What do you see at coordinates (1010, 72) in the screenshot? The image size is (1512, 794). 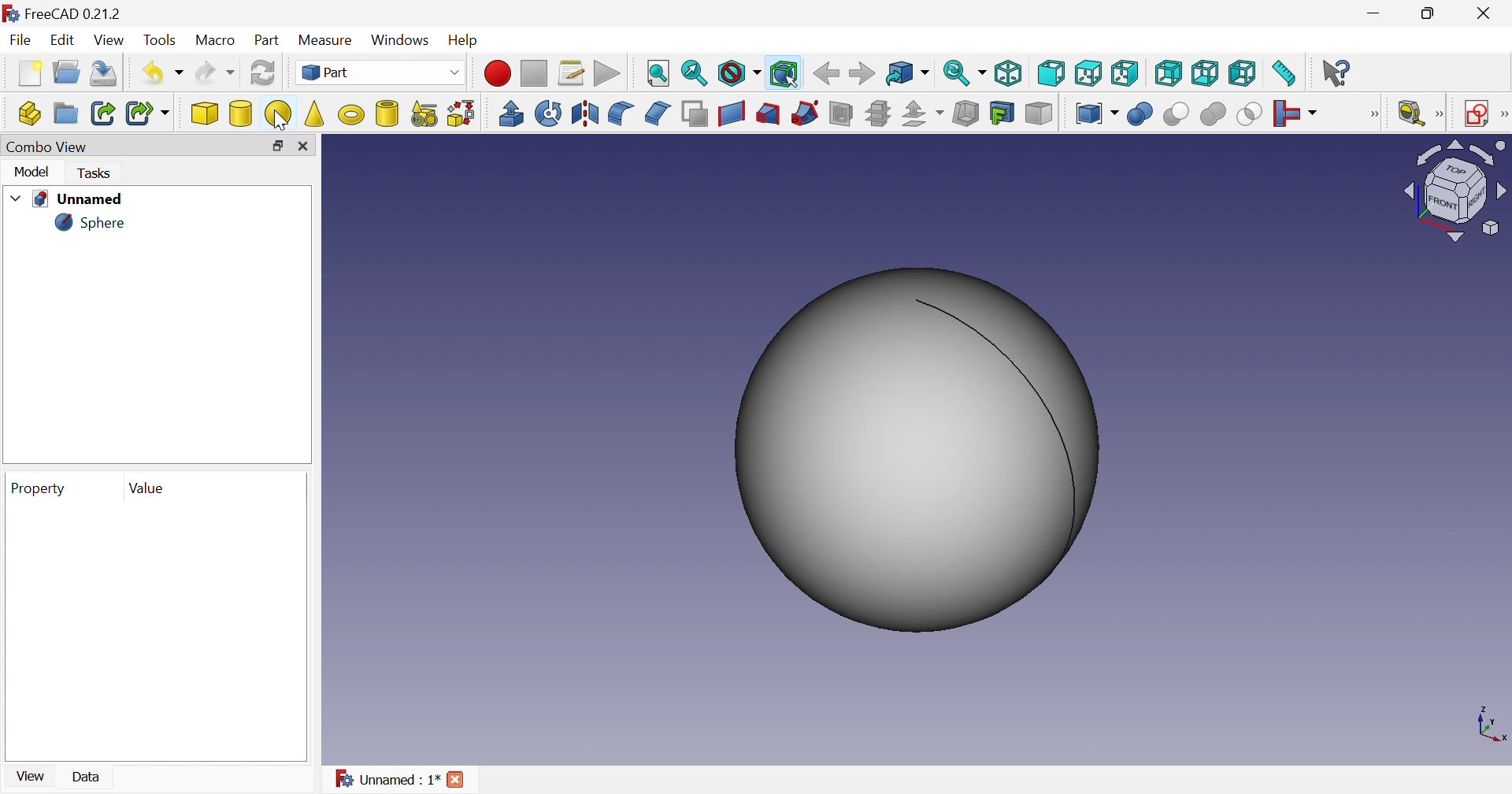 I see `Isometric` at bounding box center [1010, 72].